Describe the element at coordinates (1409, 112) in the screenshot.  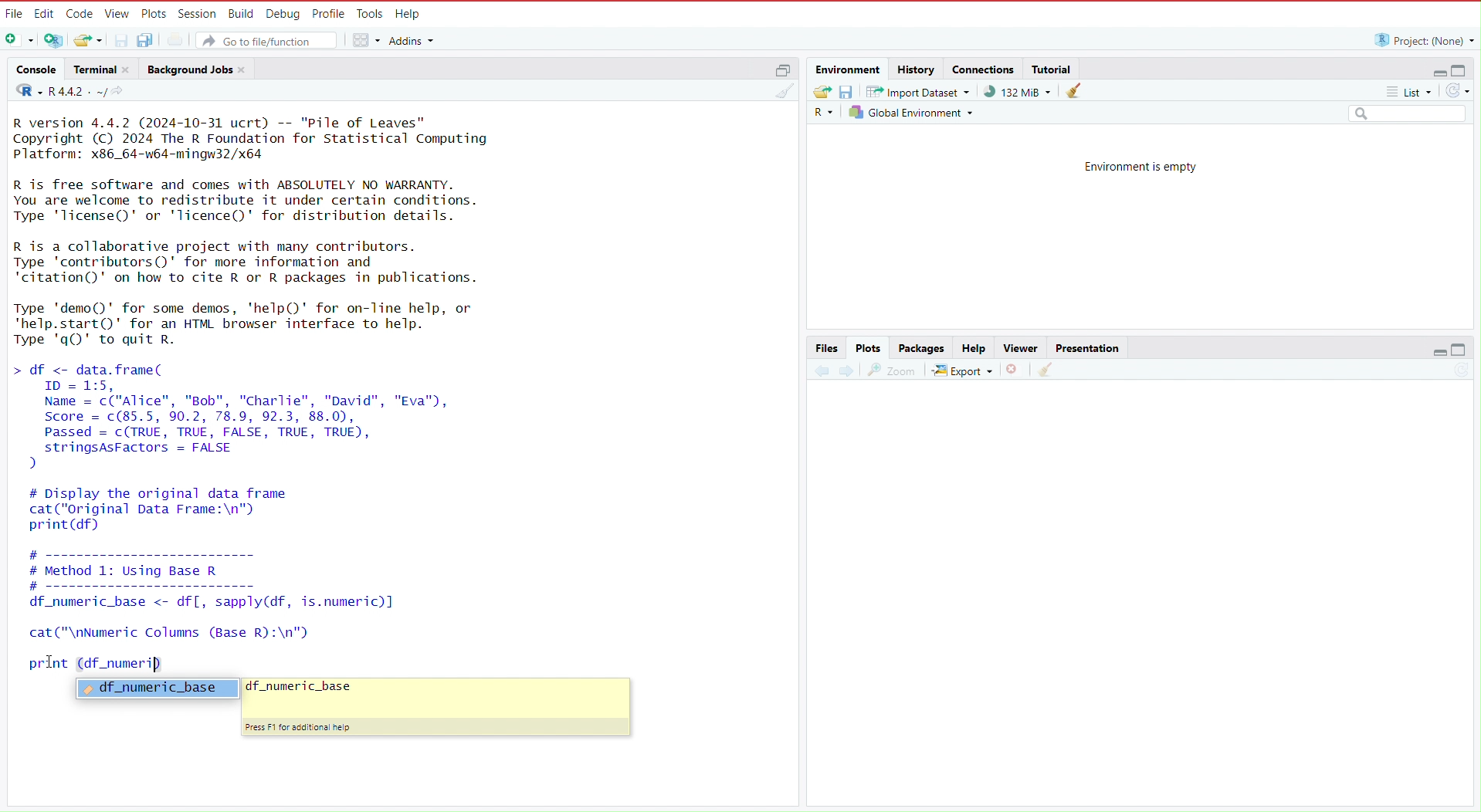
I see `Search field` at that location.